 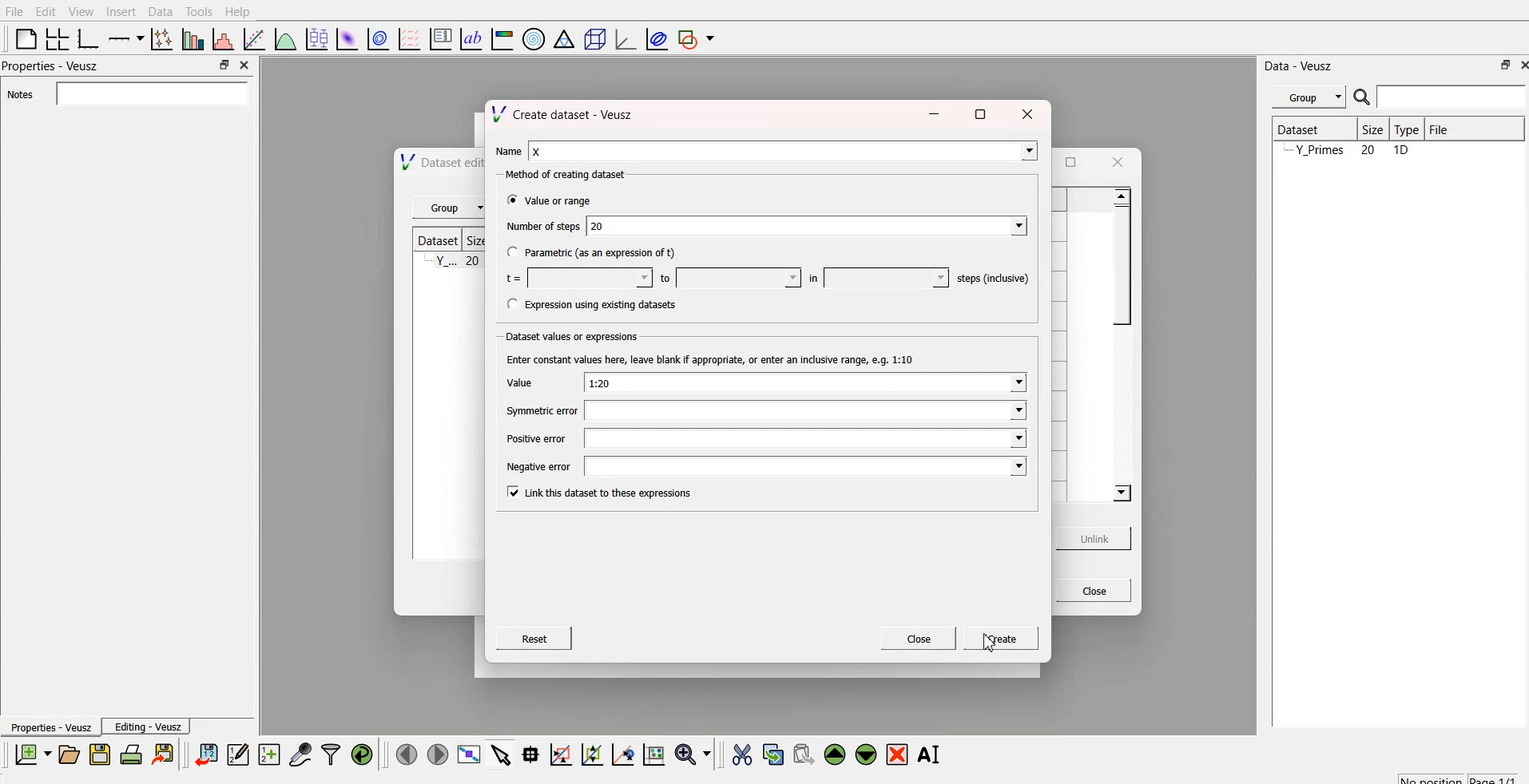 I want to click on Negatveeror |, so click(x=768, y=467).